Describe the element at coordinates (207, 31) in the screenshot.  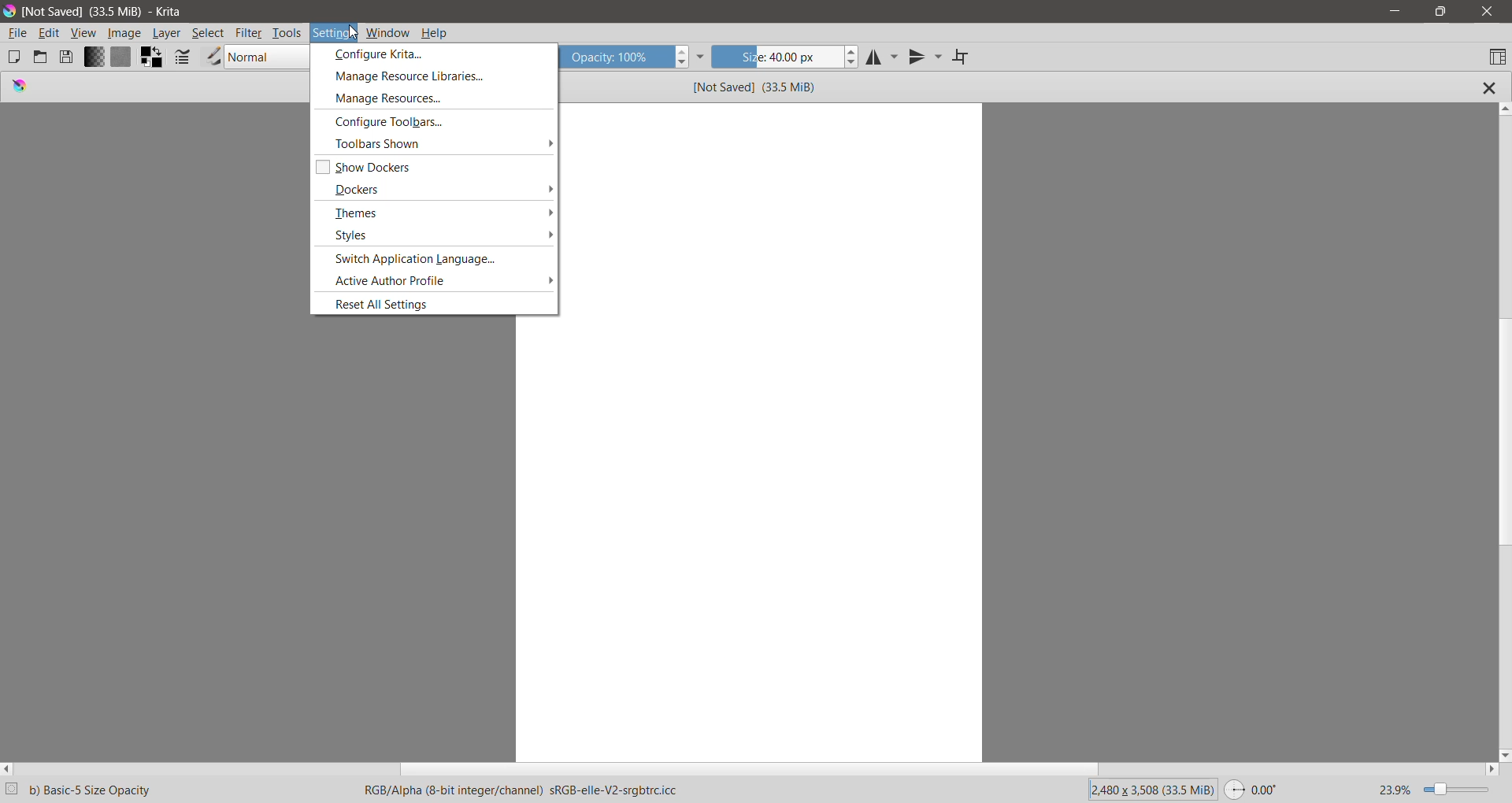
I see `Select` at that location.